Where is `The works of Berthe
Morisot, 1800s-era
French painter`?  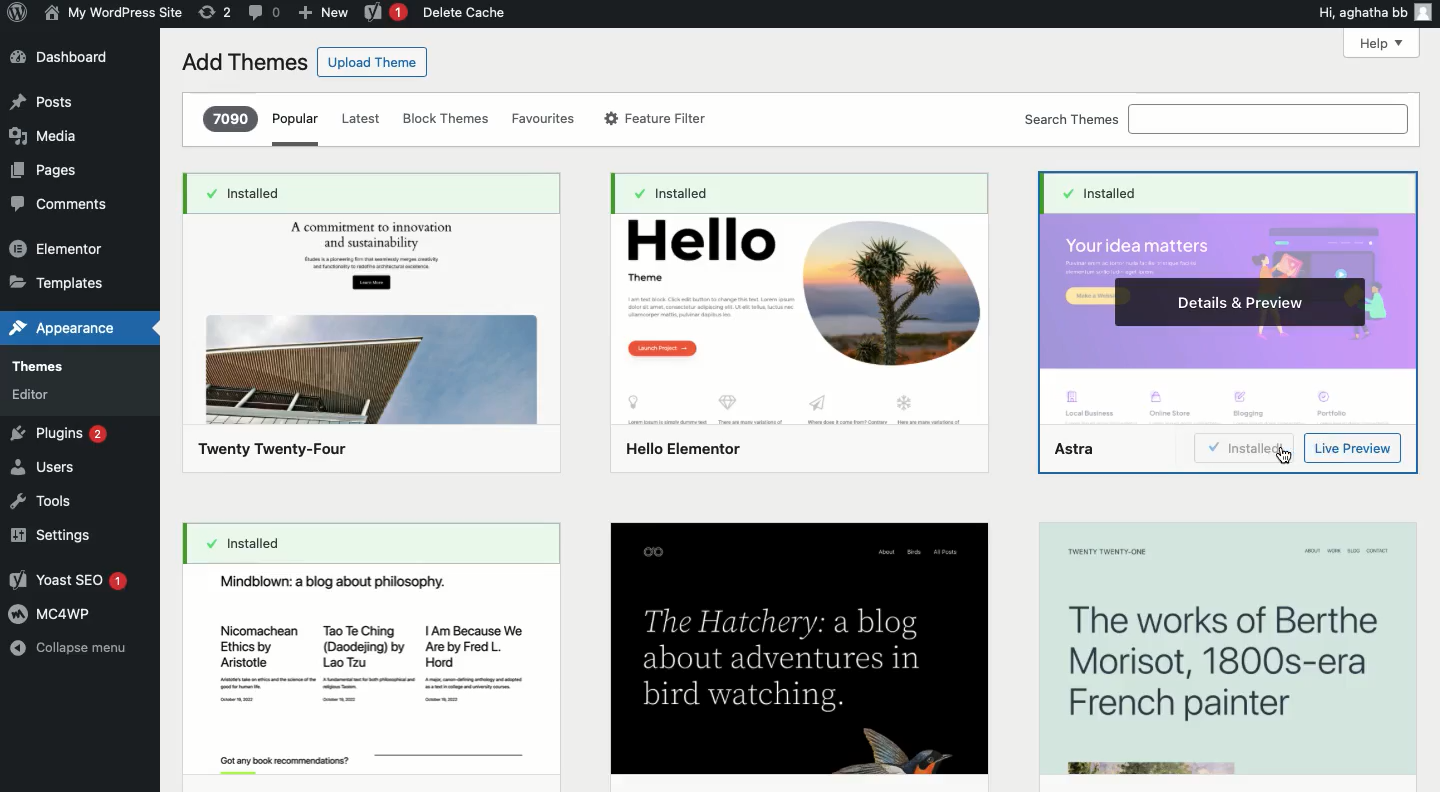
The works of Berthe
Morisot, 1800s-era
French painter is located at coordinates (1223, 648).